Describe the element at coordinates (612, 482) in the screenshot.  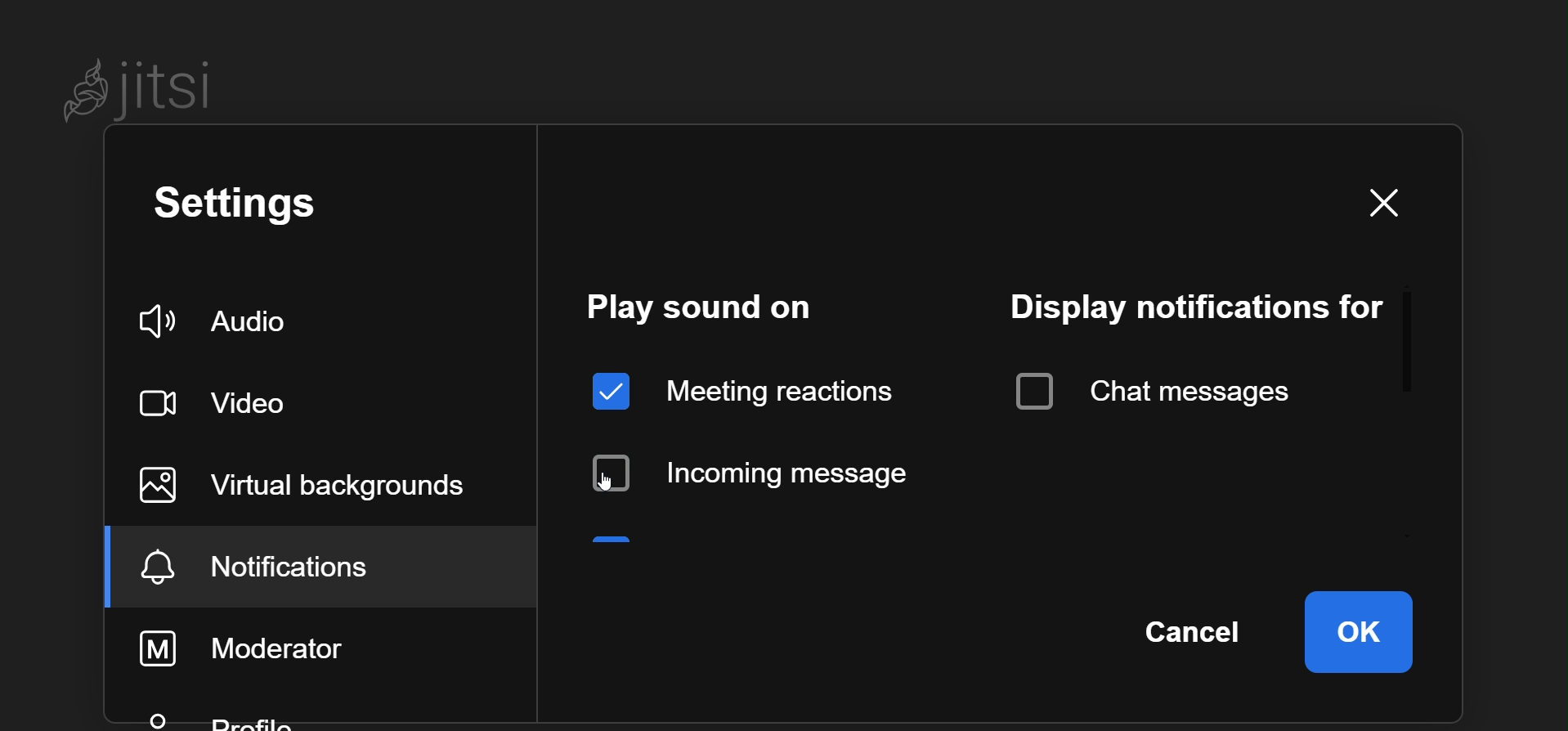
I see `cursor` at that location.